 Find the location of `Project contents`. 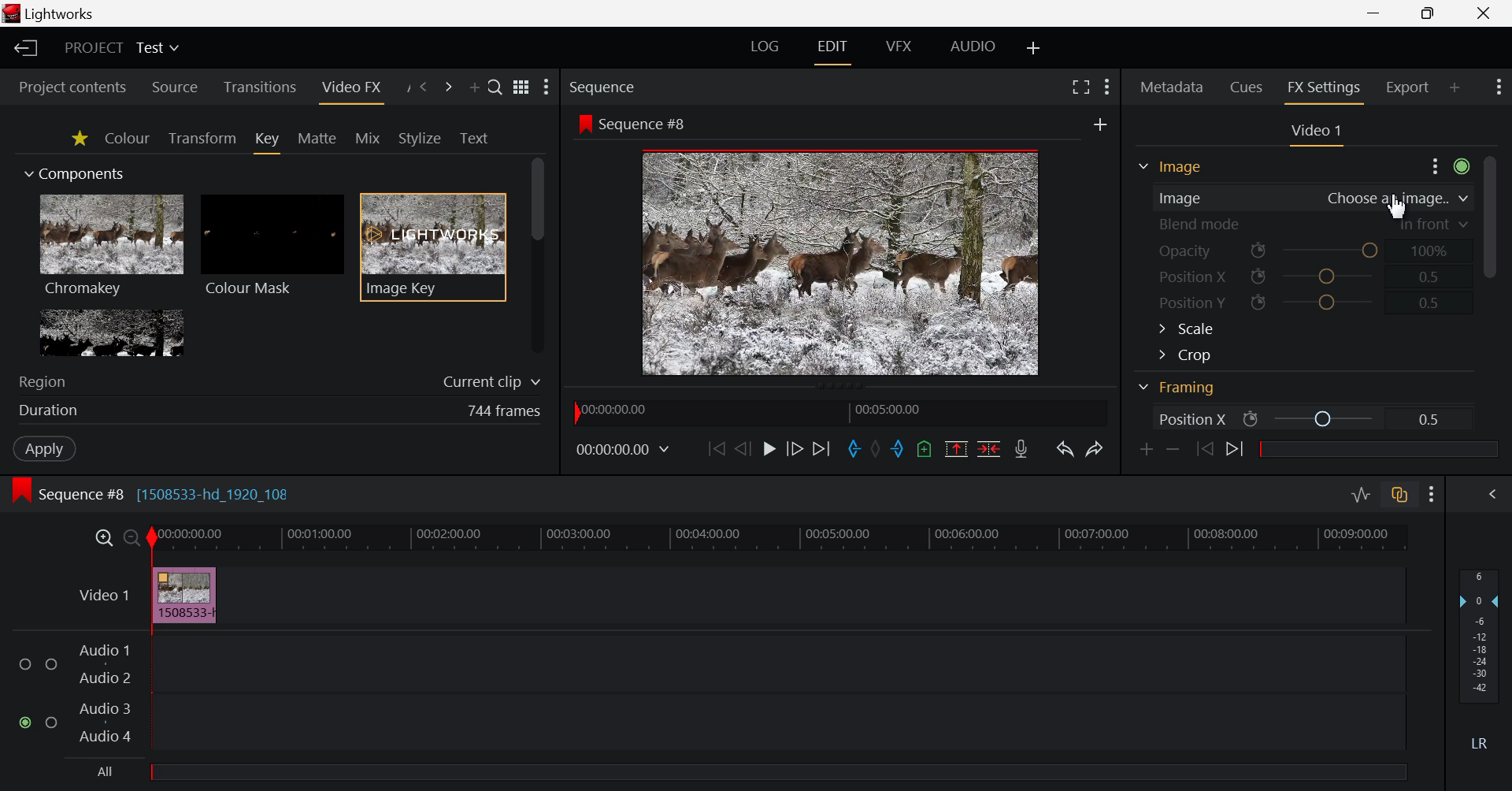

Project contents is located at coordinates (65, 85).